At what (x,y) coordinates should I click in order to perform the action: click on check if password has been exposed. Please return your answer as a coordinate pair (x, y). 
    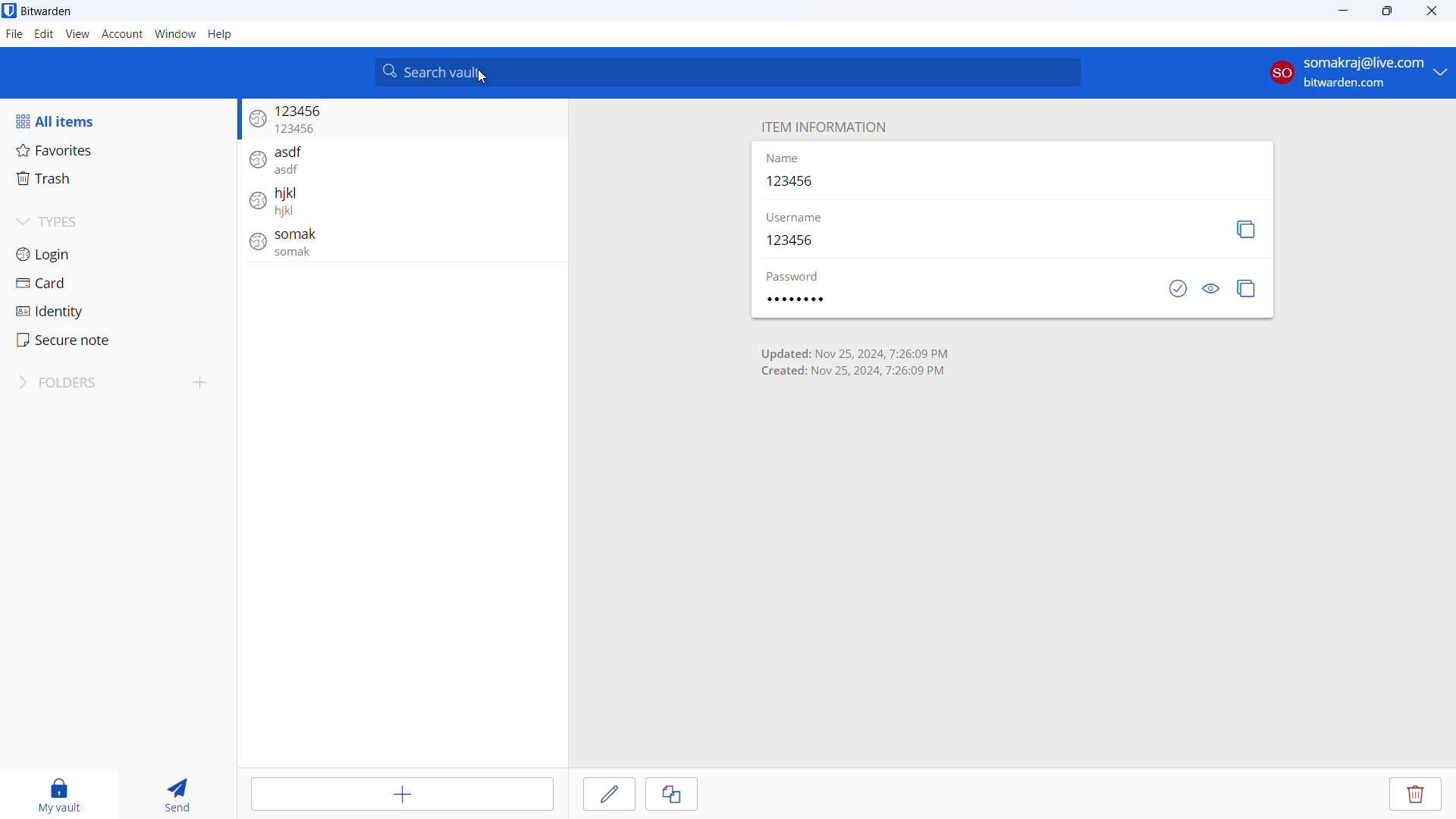
    Looking at the image, I should click on (1180, 289).